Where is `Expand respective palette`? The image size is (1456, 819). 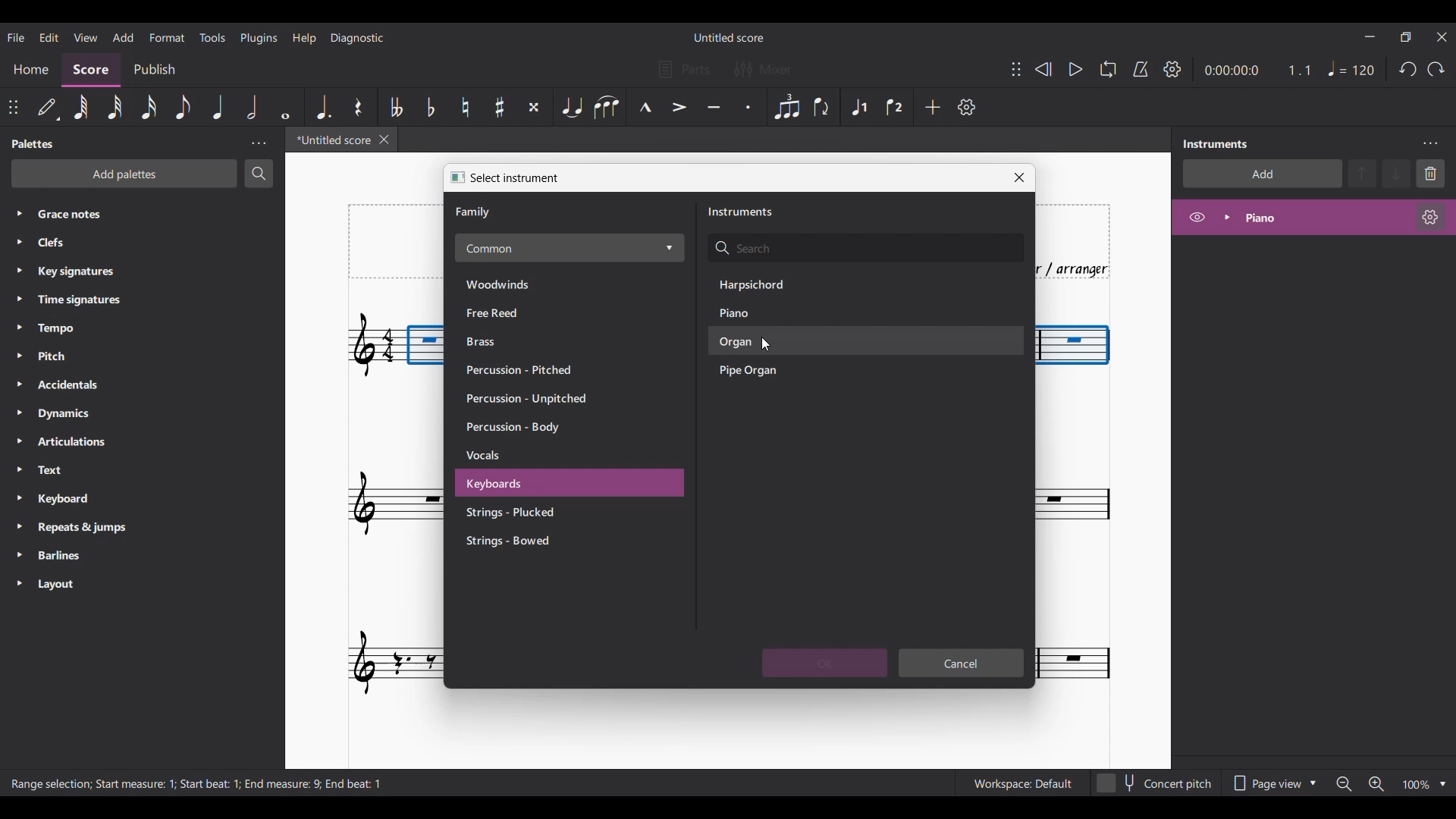 Expand respective palette is located at coordinates (14, 398).